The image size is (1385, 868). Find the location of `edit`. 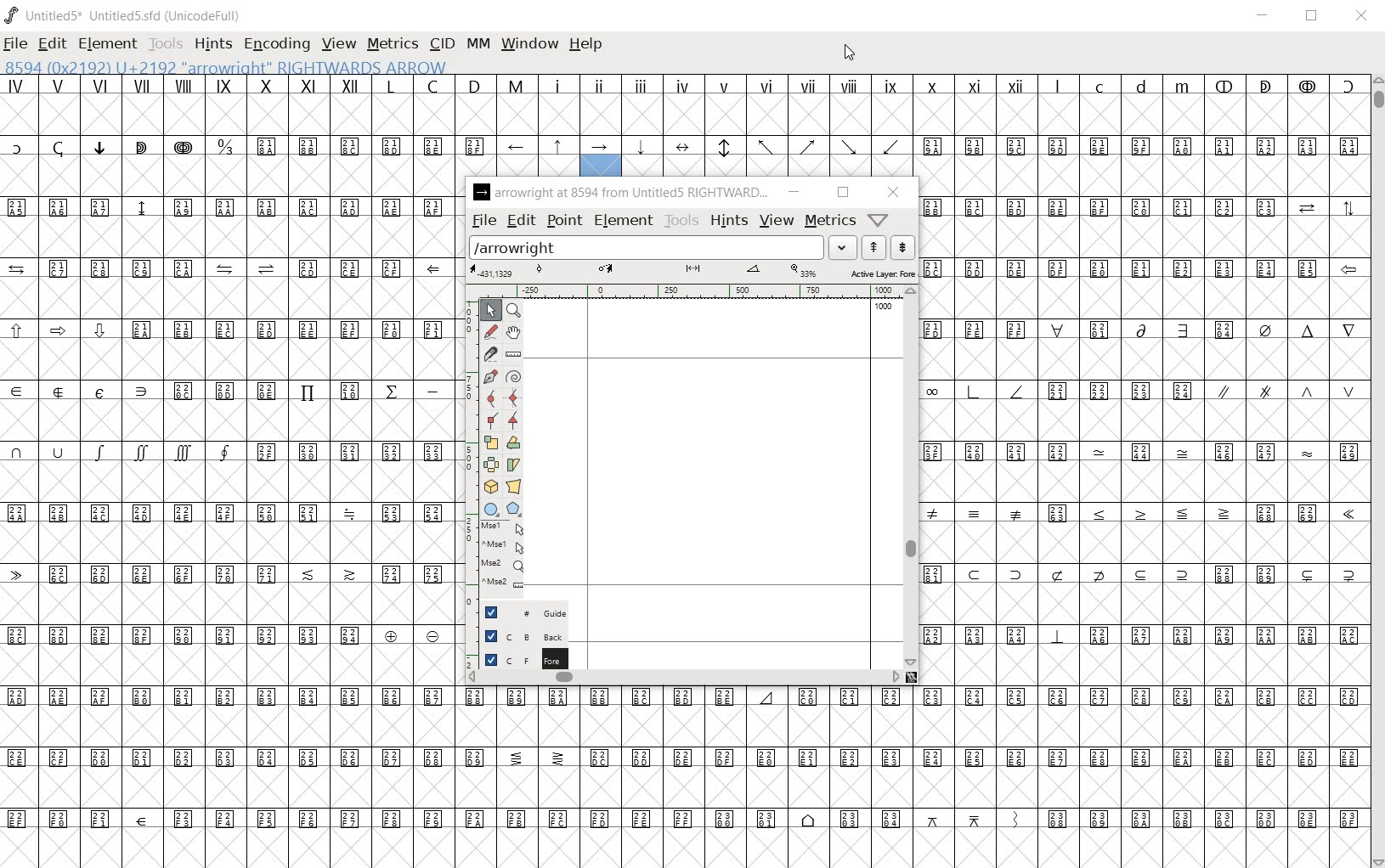

edit is located at coordinates (520, 220).